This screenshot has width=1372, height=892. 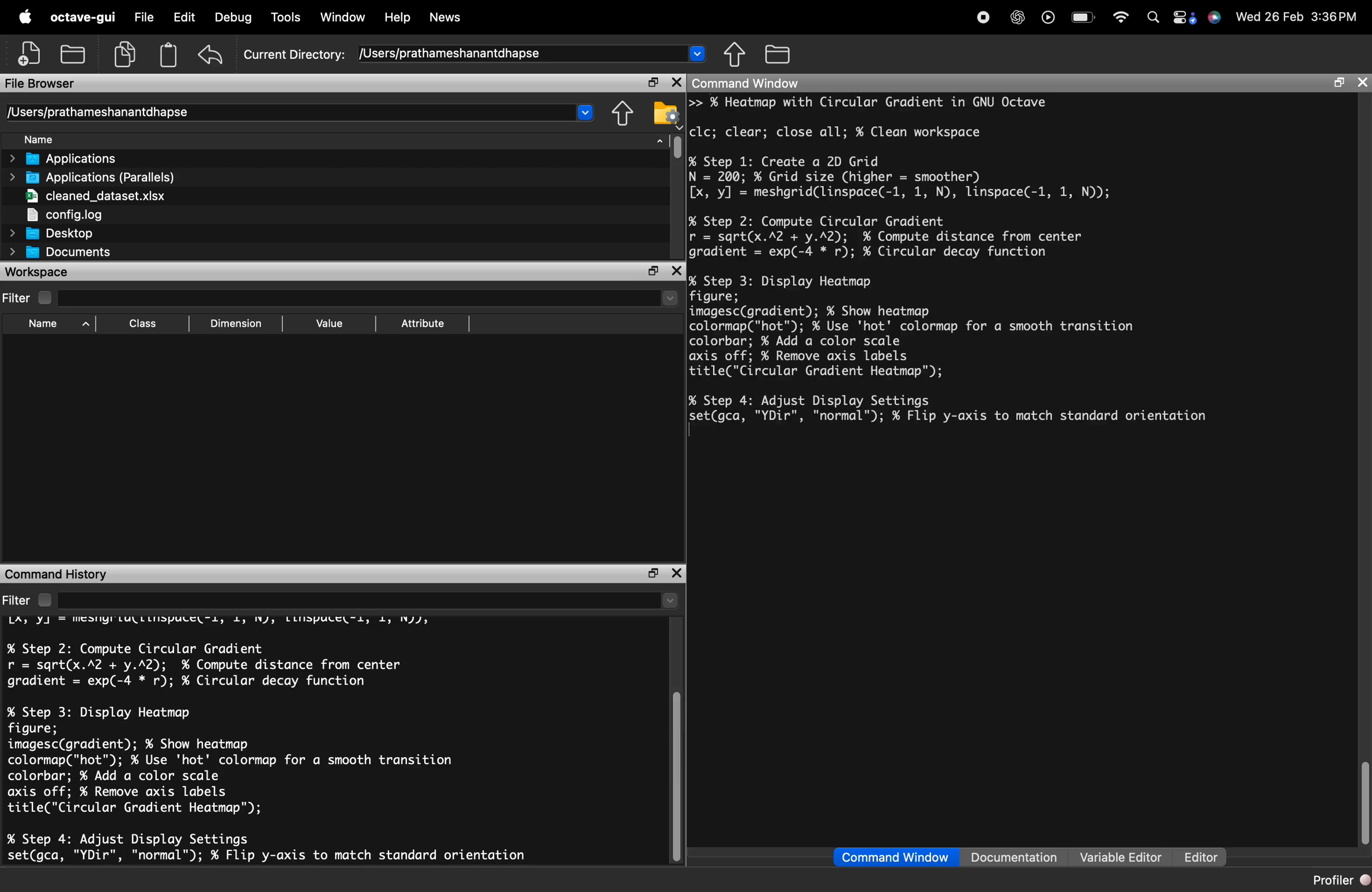 What do you see at coordinates (1203, 856) in the screenshot?
I see `Editor` at bounding box center [1203, 856].